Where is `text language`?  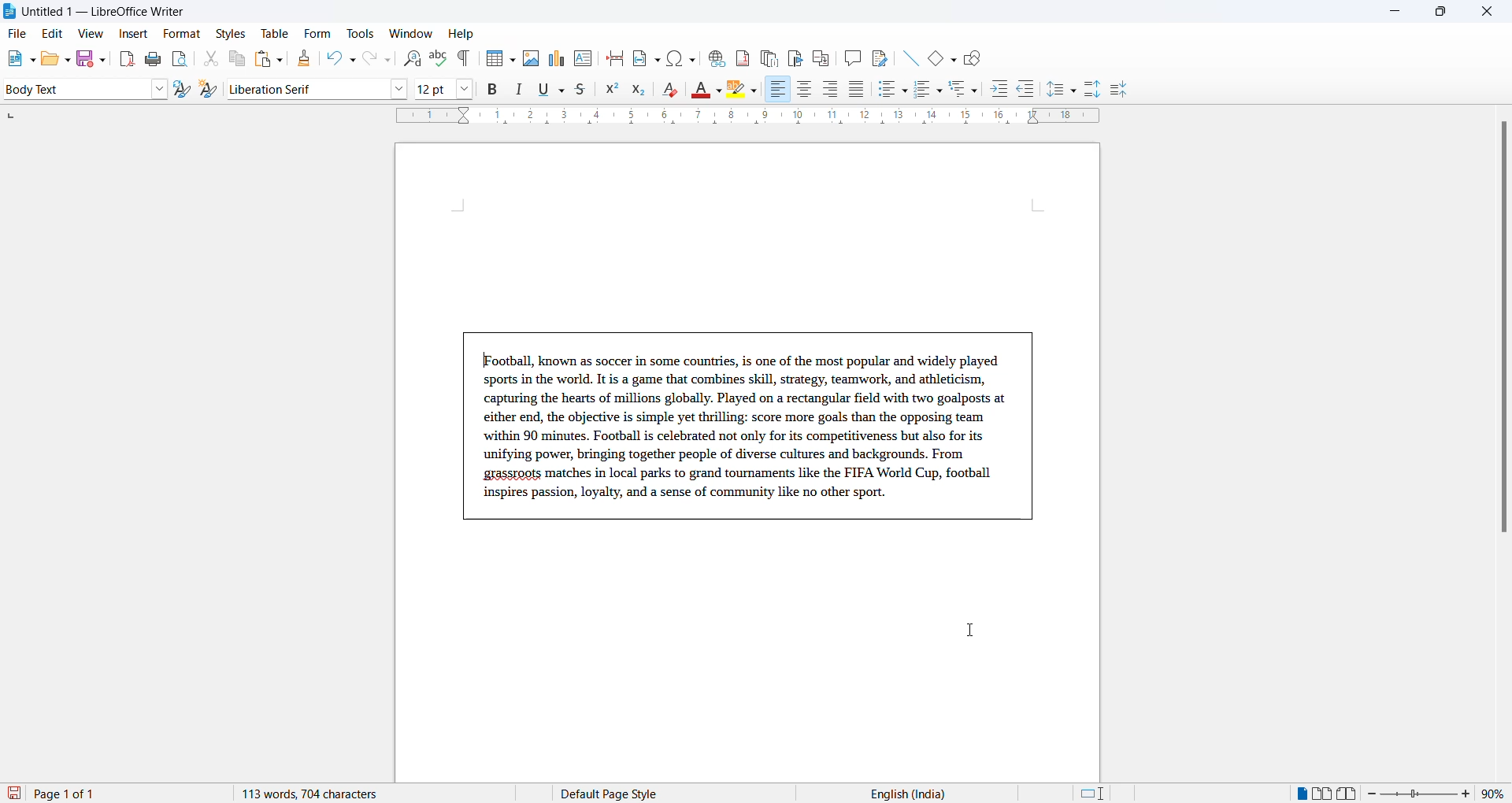 text language is located at coordinates (902, 794).